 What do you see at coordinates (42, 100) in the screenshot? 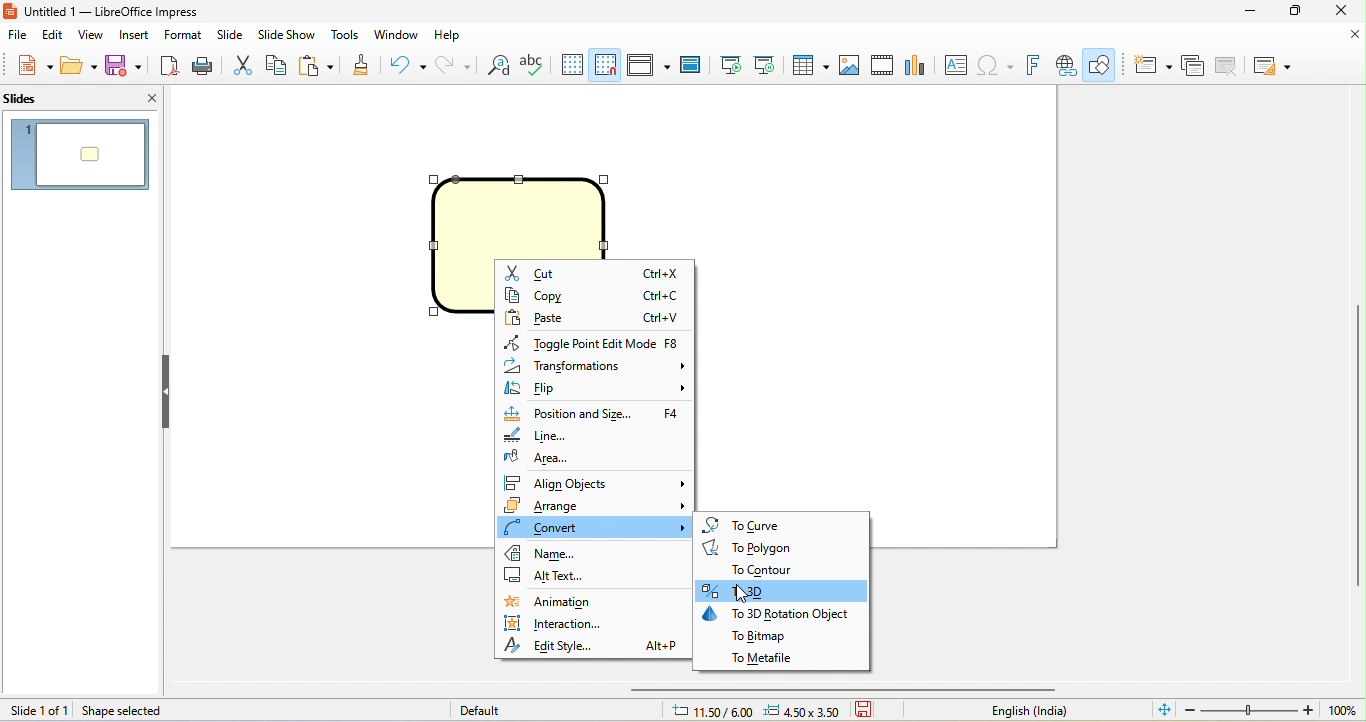
I see `slides` at bounding box center [42, 100].